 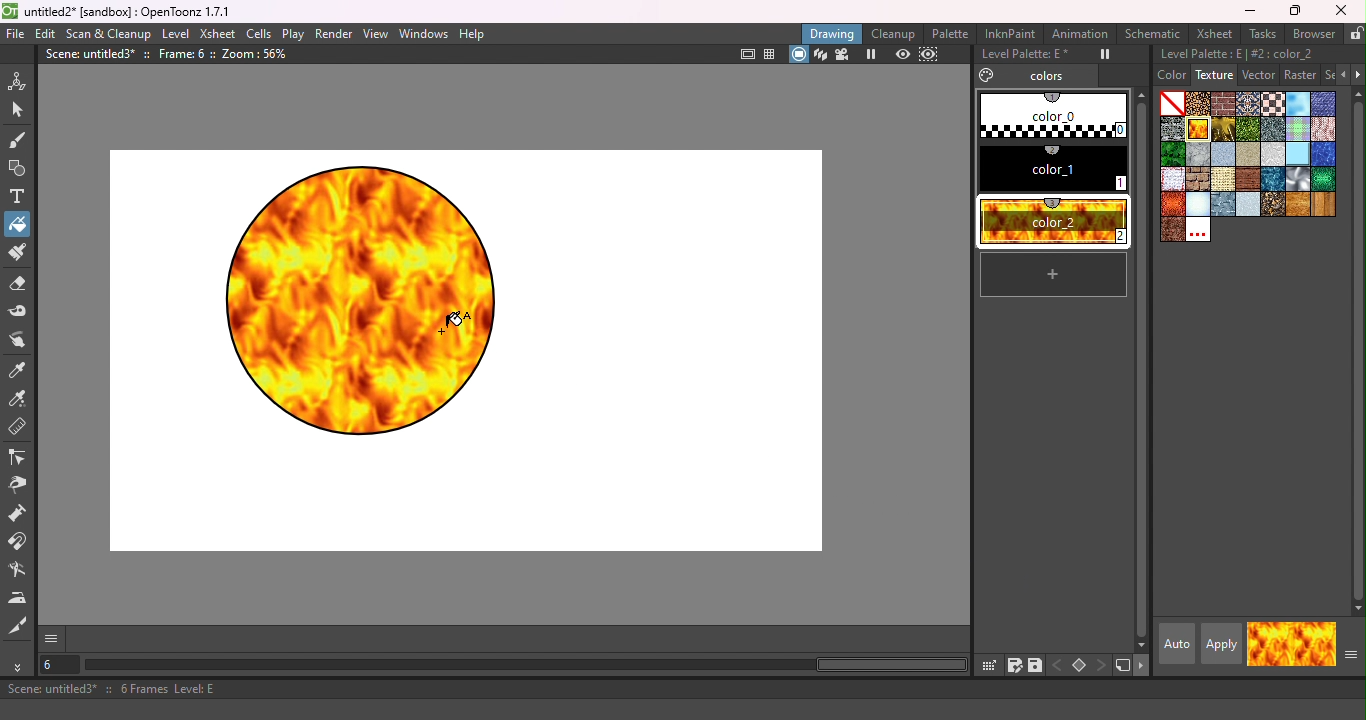 I want to click on Cloud.bmp, so click(x=1298, y=103).